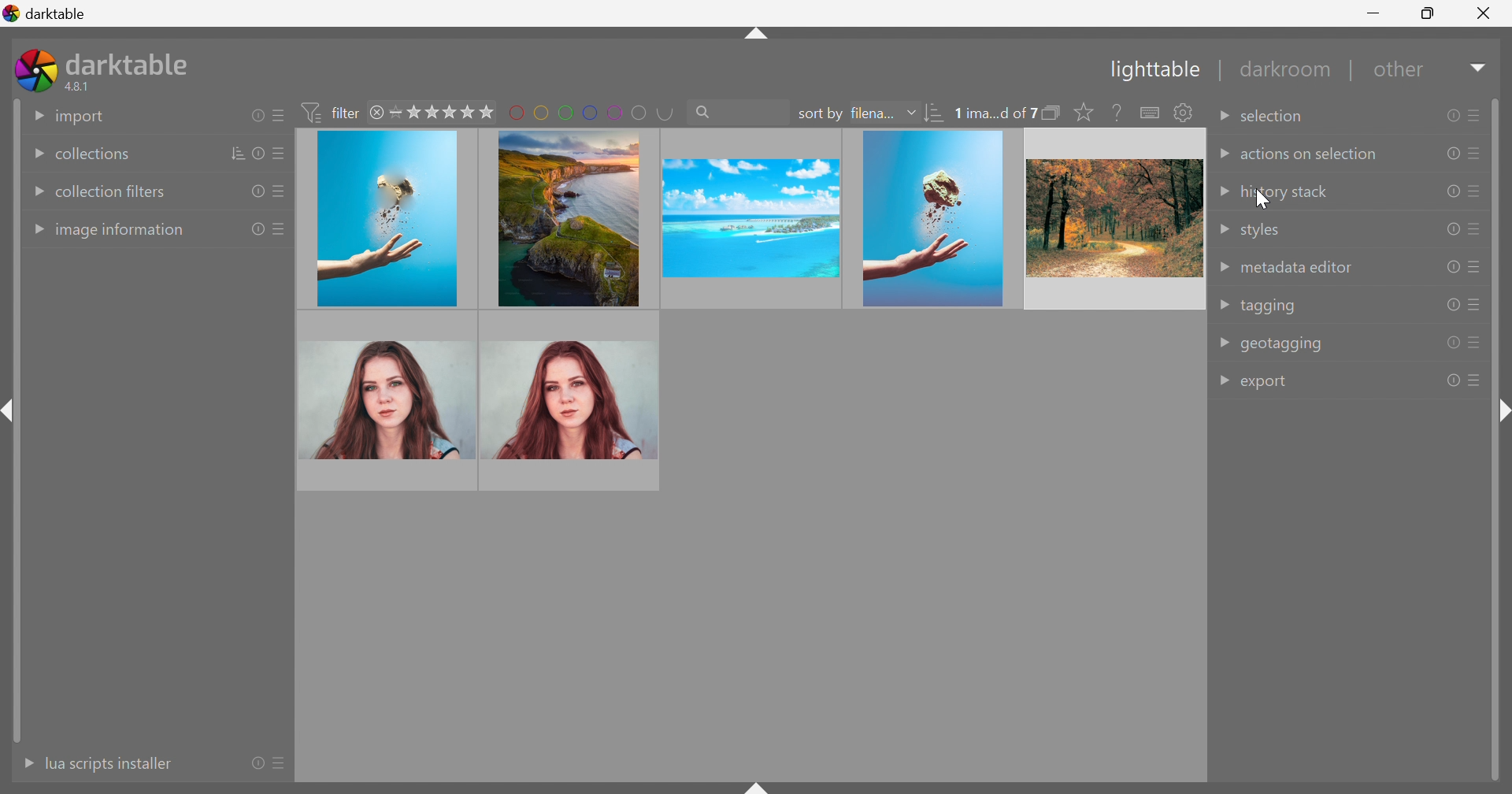  I want to click on selection, so click(1277, 117).